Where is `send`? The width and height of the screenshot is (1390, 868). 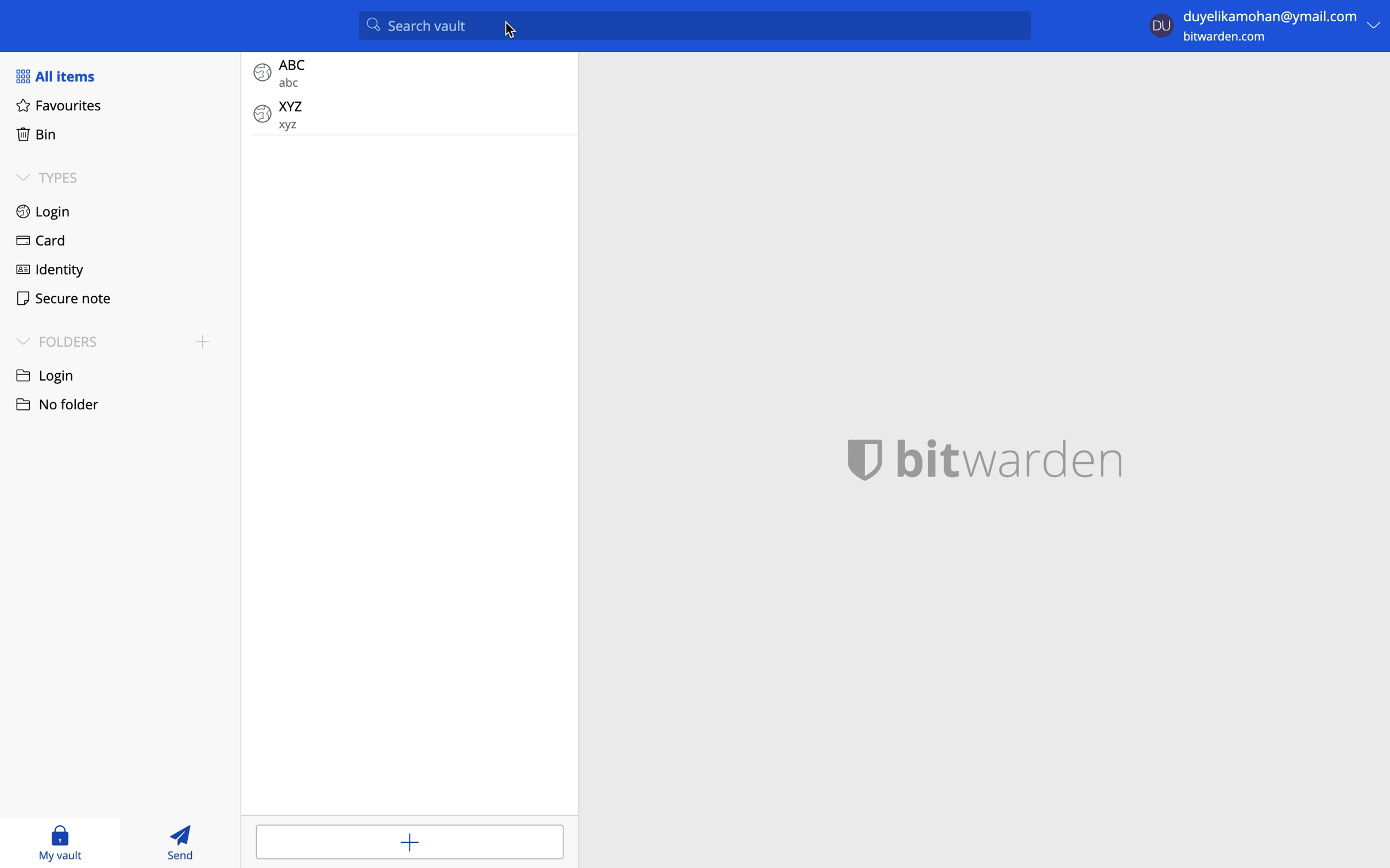
send is located at coordinates (187, 842).